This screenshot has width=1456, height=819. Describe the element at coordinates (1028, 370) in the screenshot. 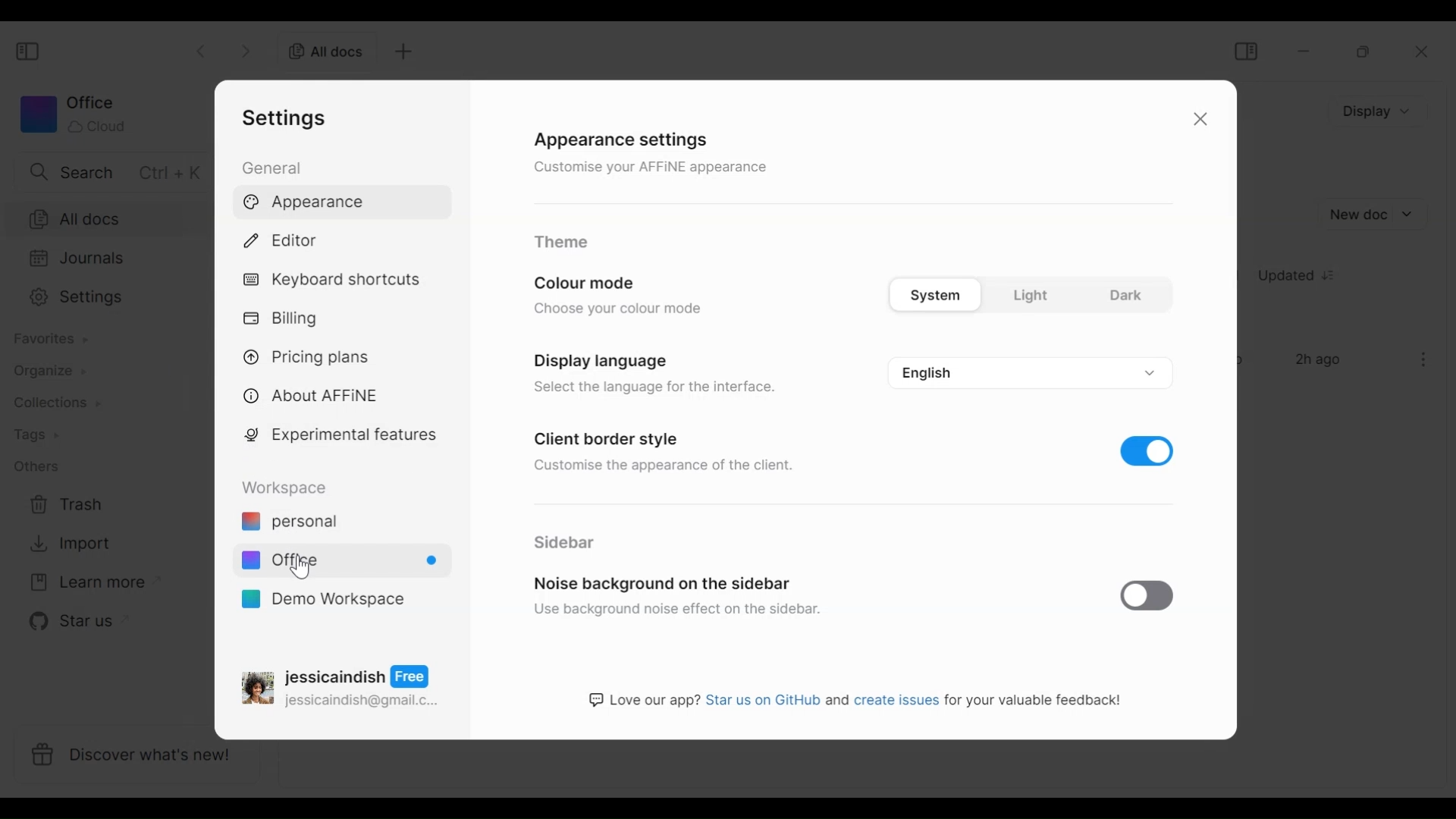

I see `language options` at that location.